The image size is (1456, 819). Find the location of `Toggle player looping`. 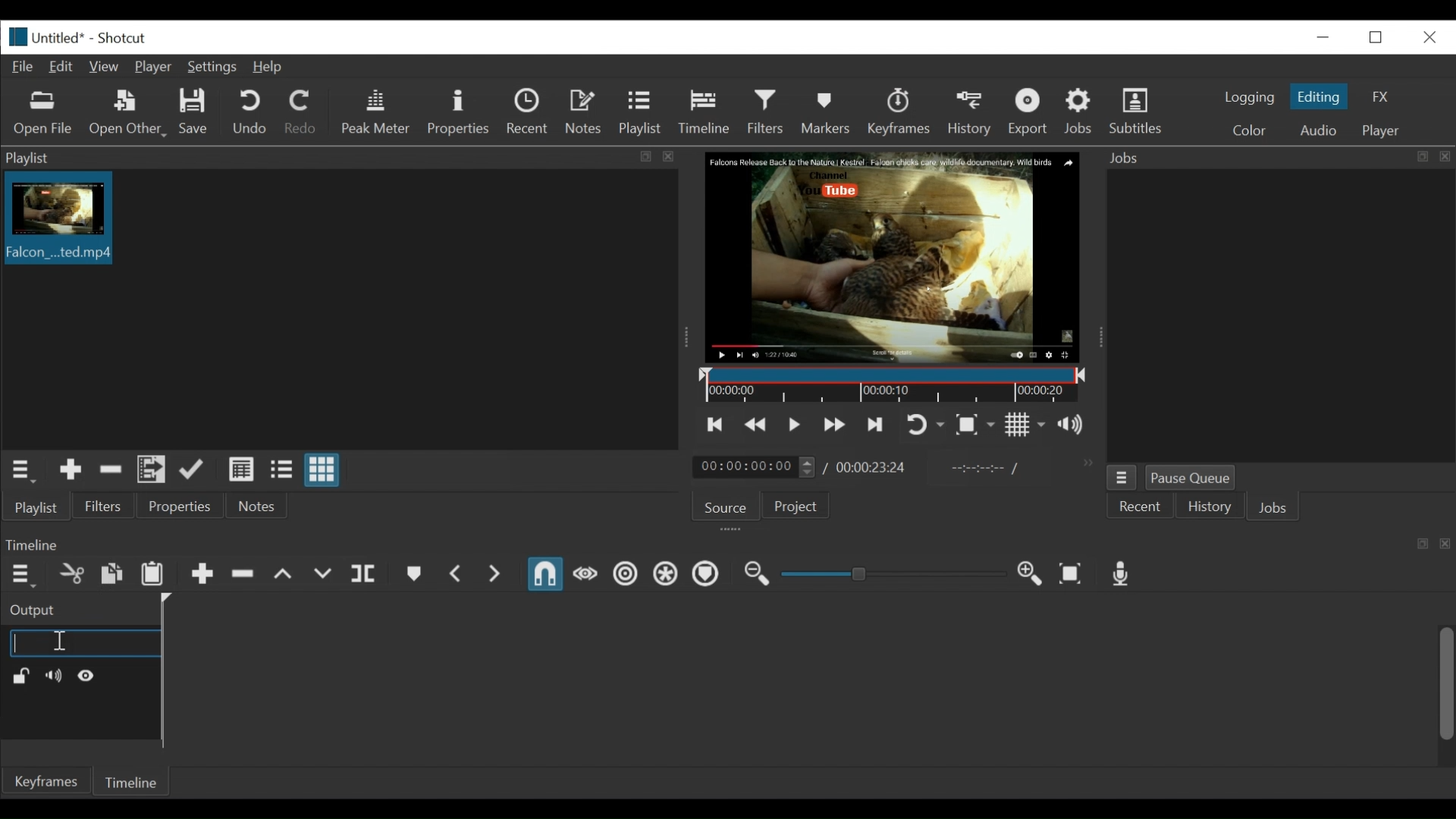

Toggle player looping is located at coordinates (879, 425).